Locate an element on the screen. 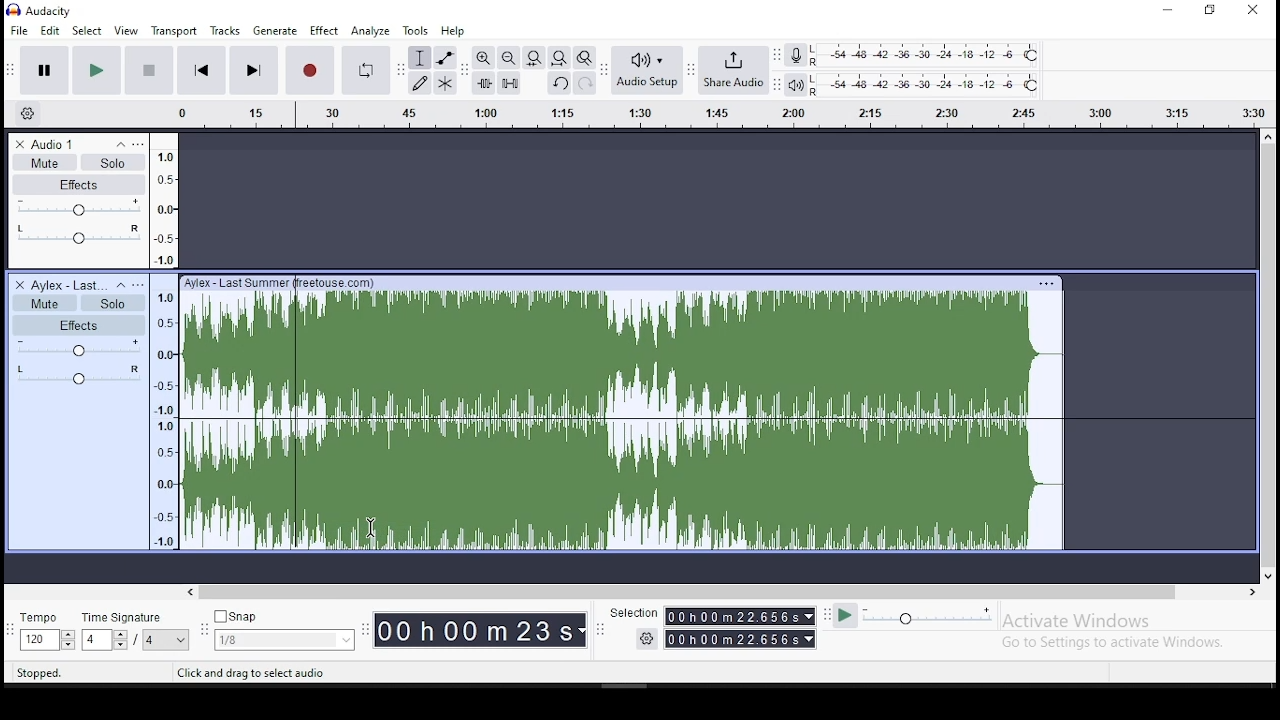  click and drag to select audio is located at coordinates (251, 673).